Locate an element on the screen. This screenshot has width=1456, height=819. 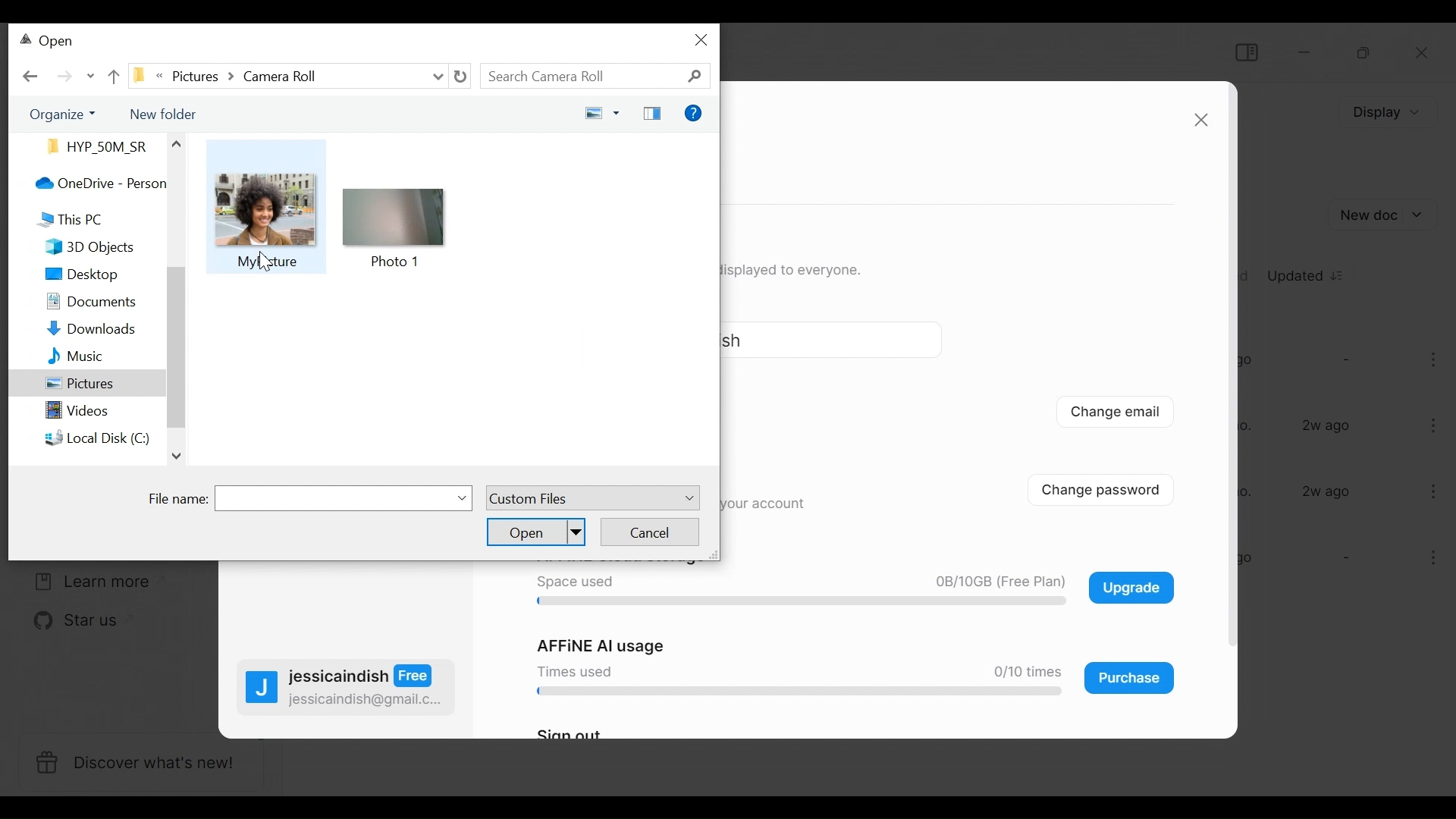
Organize is located at coordinates (58, 114).